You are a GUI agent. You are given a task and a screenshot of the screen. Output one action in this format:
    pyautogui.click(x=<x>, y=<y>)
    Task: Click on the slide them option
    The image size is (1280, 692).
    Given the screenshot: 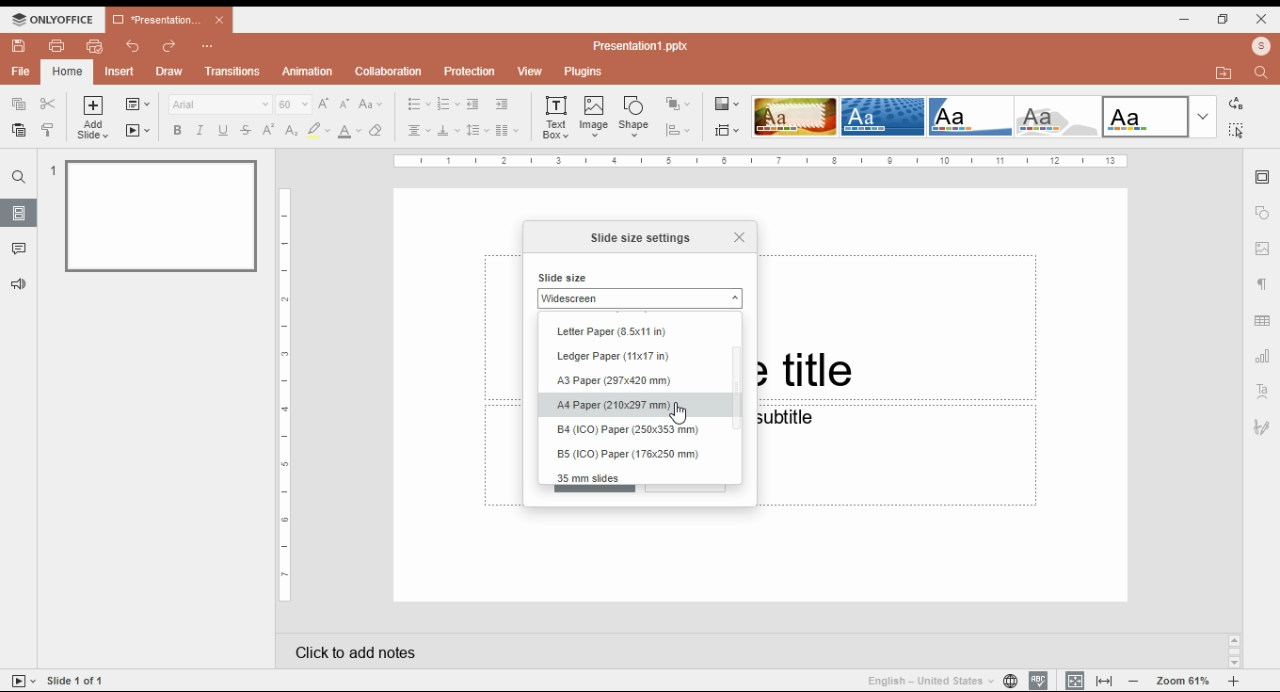 What is the action you would take?
    pyautogui.click(x=1146, y=116)
    